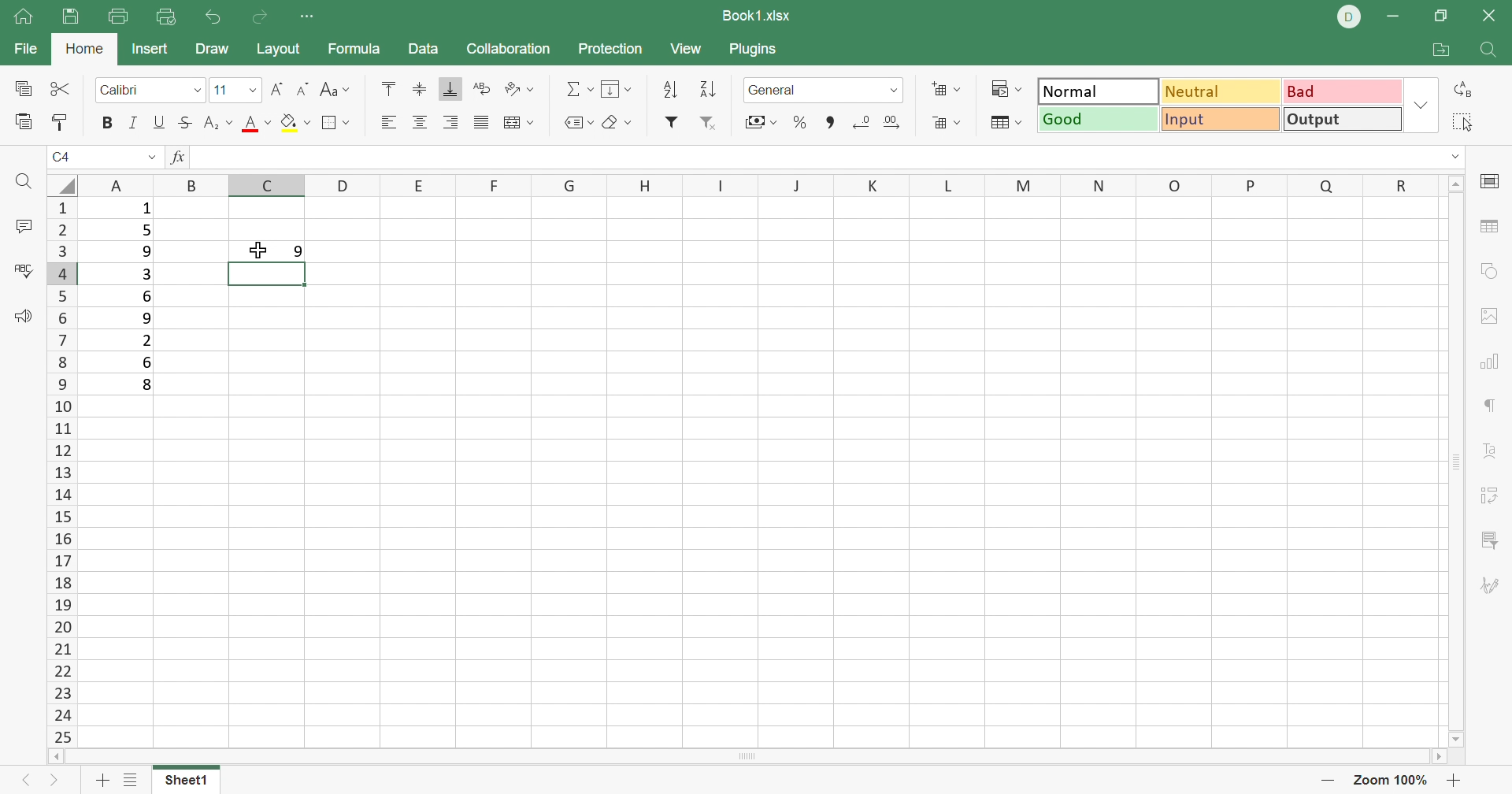 Image resolution: width=1512 pixels, height=794 pixels. Describe the element at coordinates (108, 122) in the screenshot. I see `Bold` at that location.